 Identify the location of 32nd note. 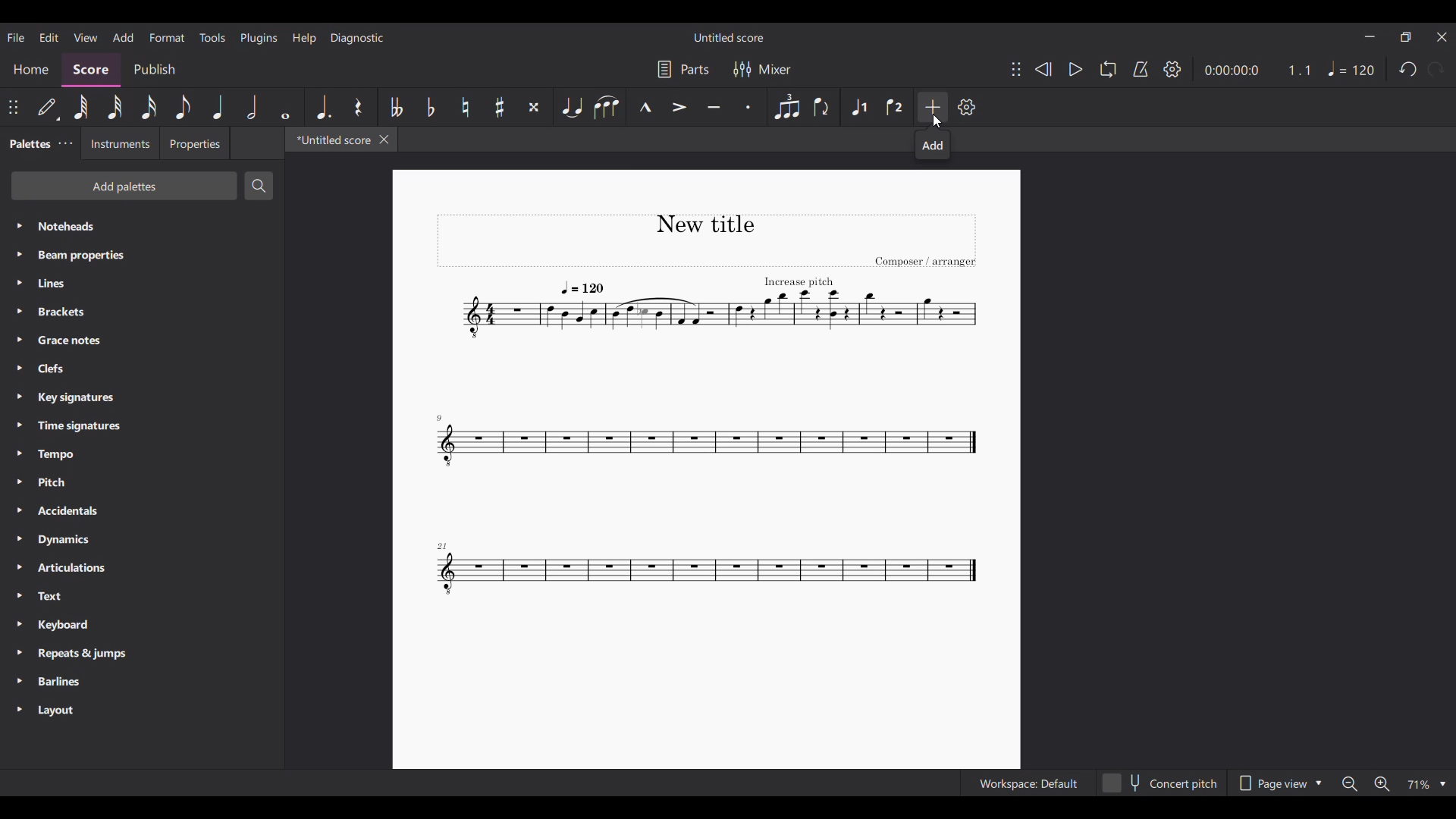
(115, 108).